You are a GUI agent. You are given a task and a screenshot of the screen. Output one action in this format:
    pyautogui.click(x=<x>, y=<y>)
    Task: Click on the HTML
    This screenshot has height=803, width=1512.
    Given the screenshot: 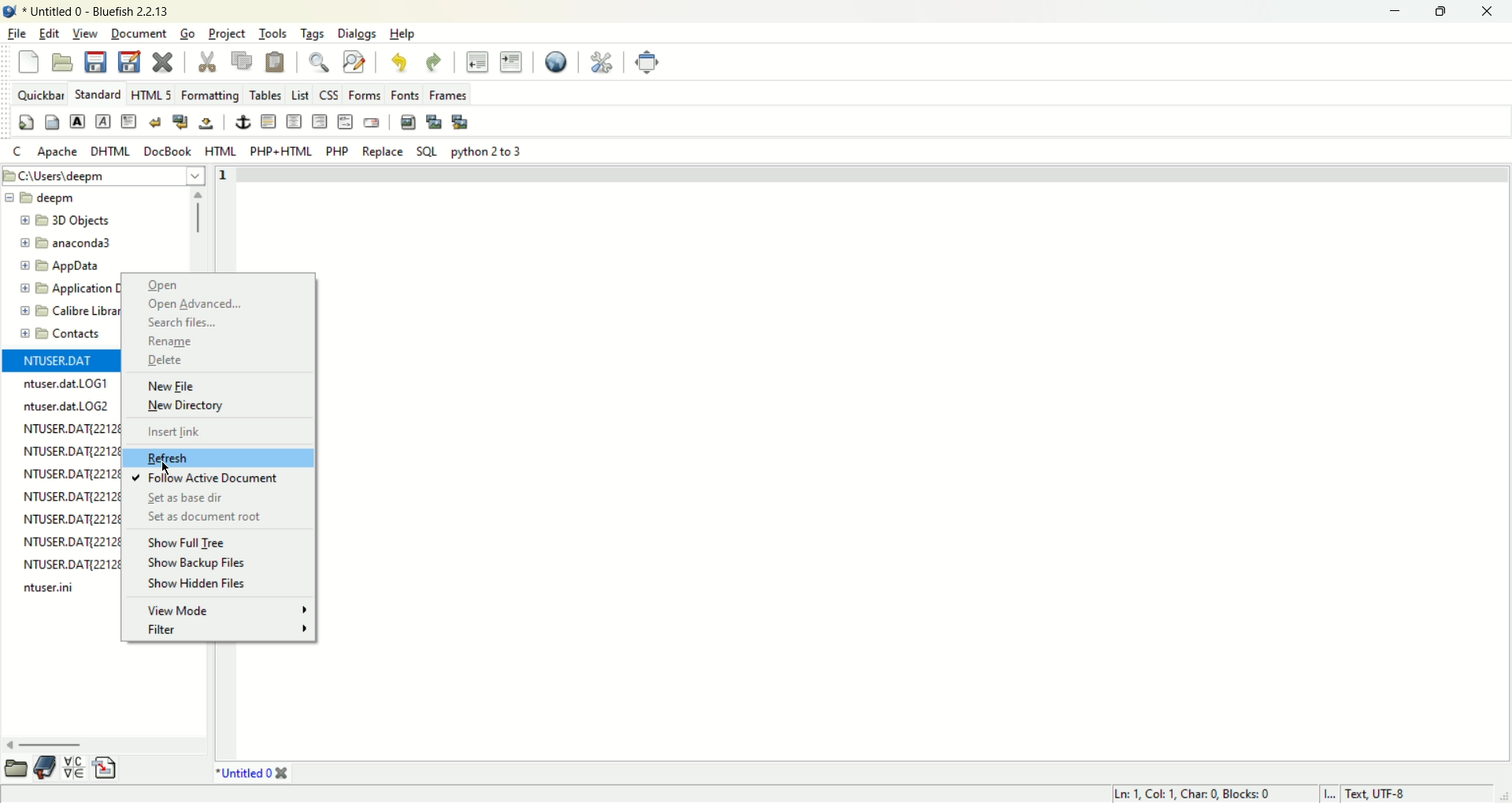 What is the action you would take?
    pyautogui.click(x=221, y=150)
    